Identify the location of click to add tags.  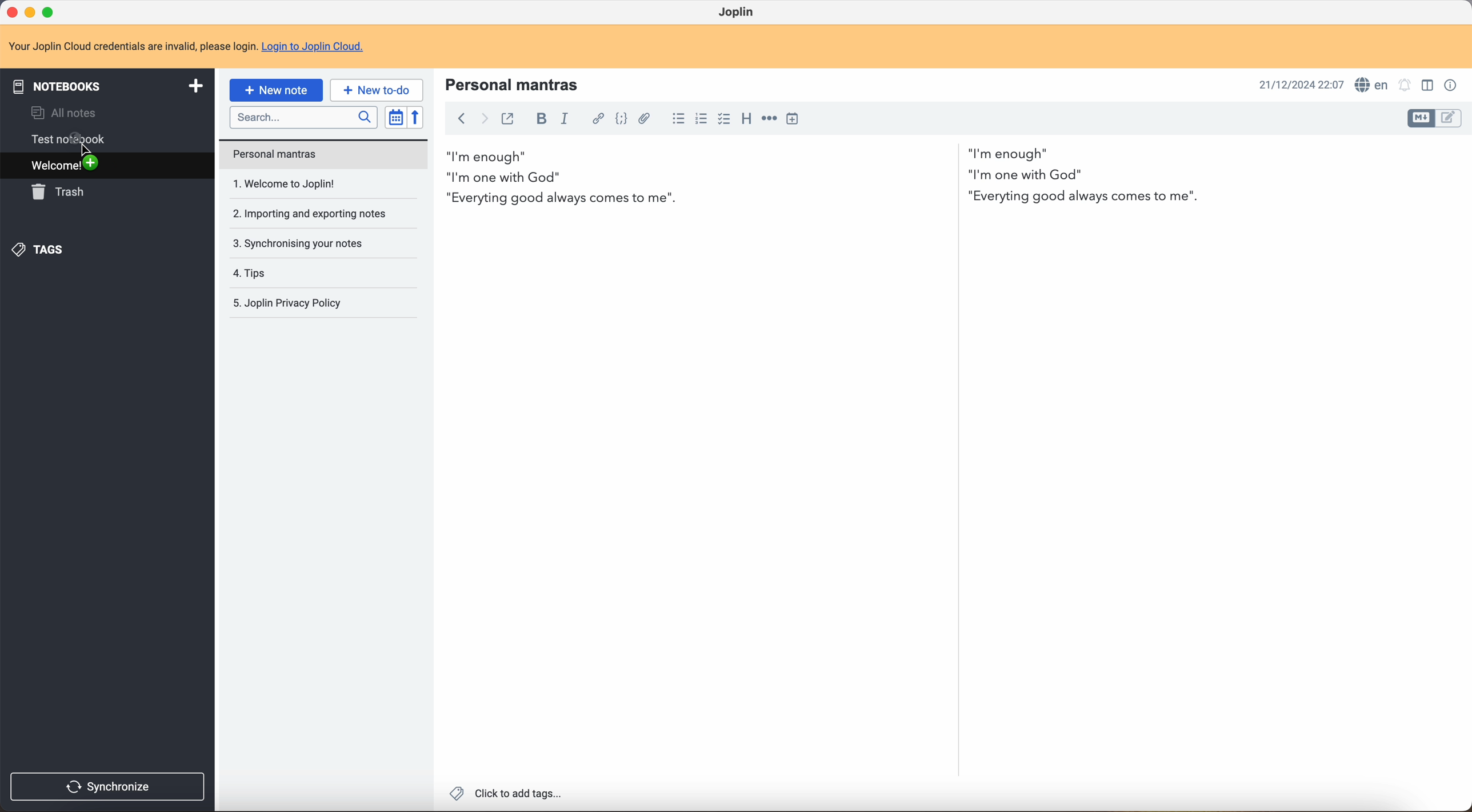
(508, 795).